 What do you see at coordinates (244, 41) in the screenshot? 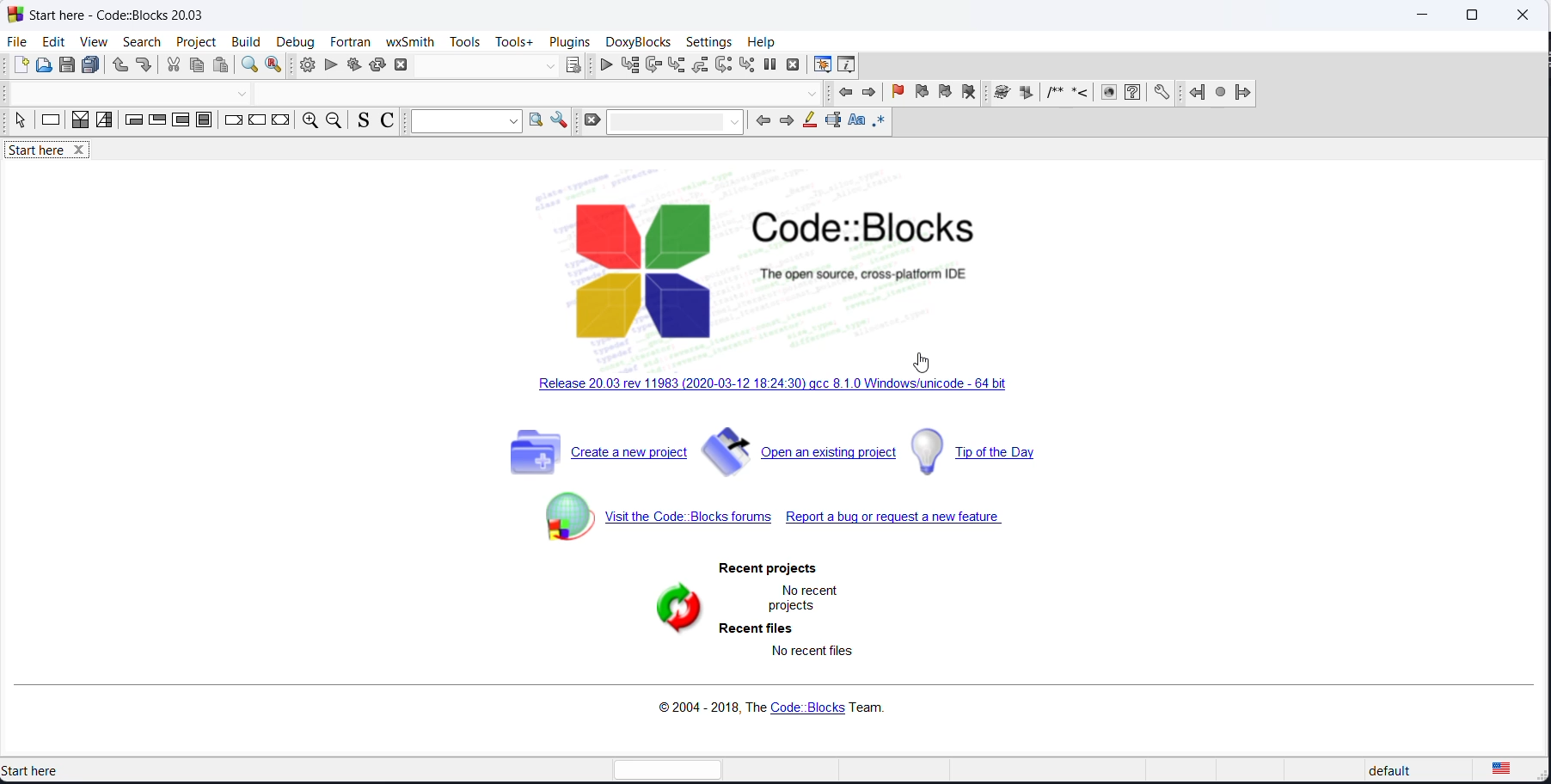
I see `build` at bounding box center [244, 41].